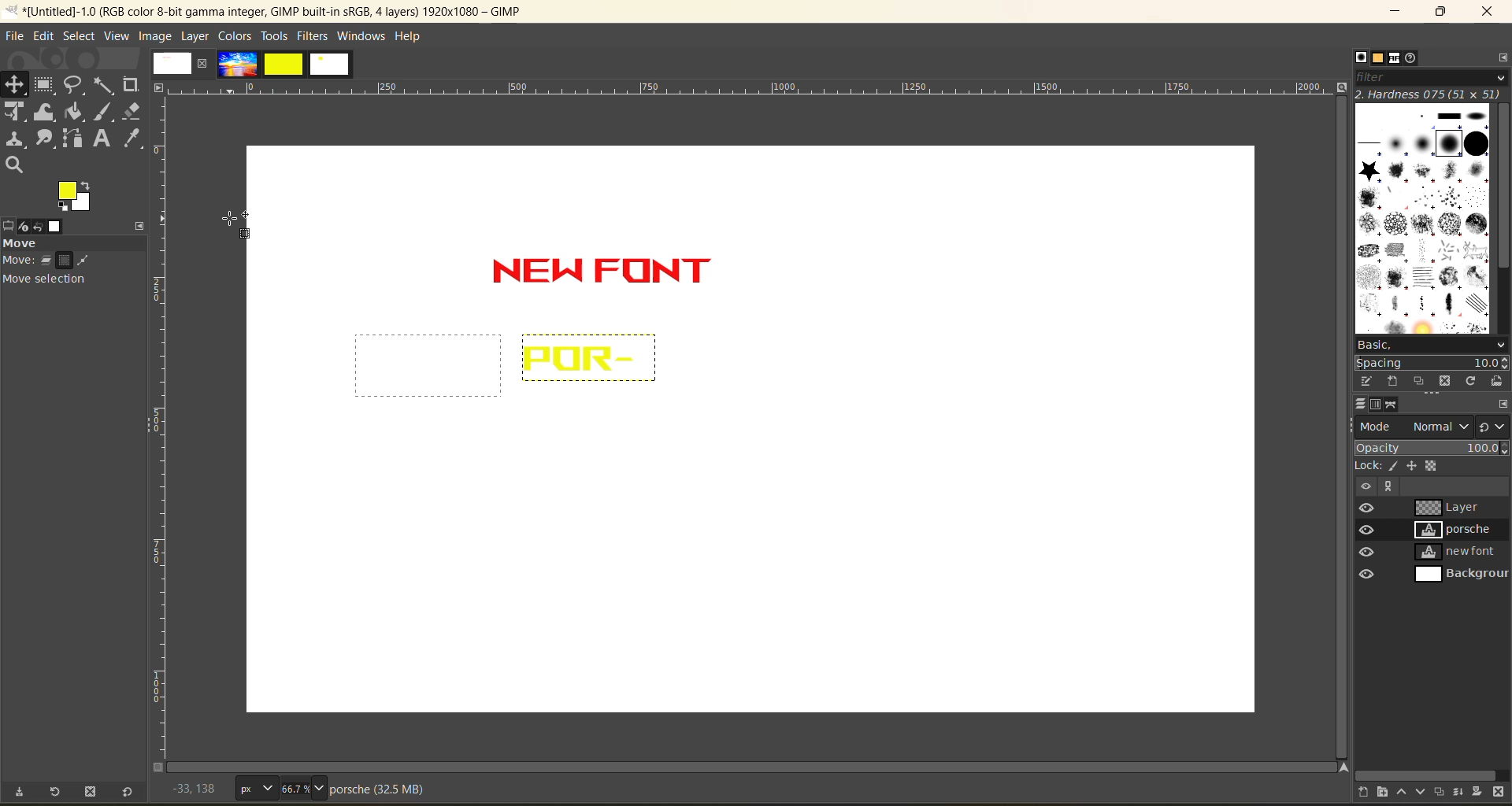 Image resolution: width=1512 pixels, height=806 pixels. I want to click on edit, so click(46, 37).